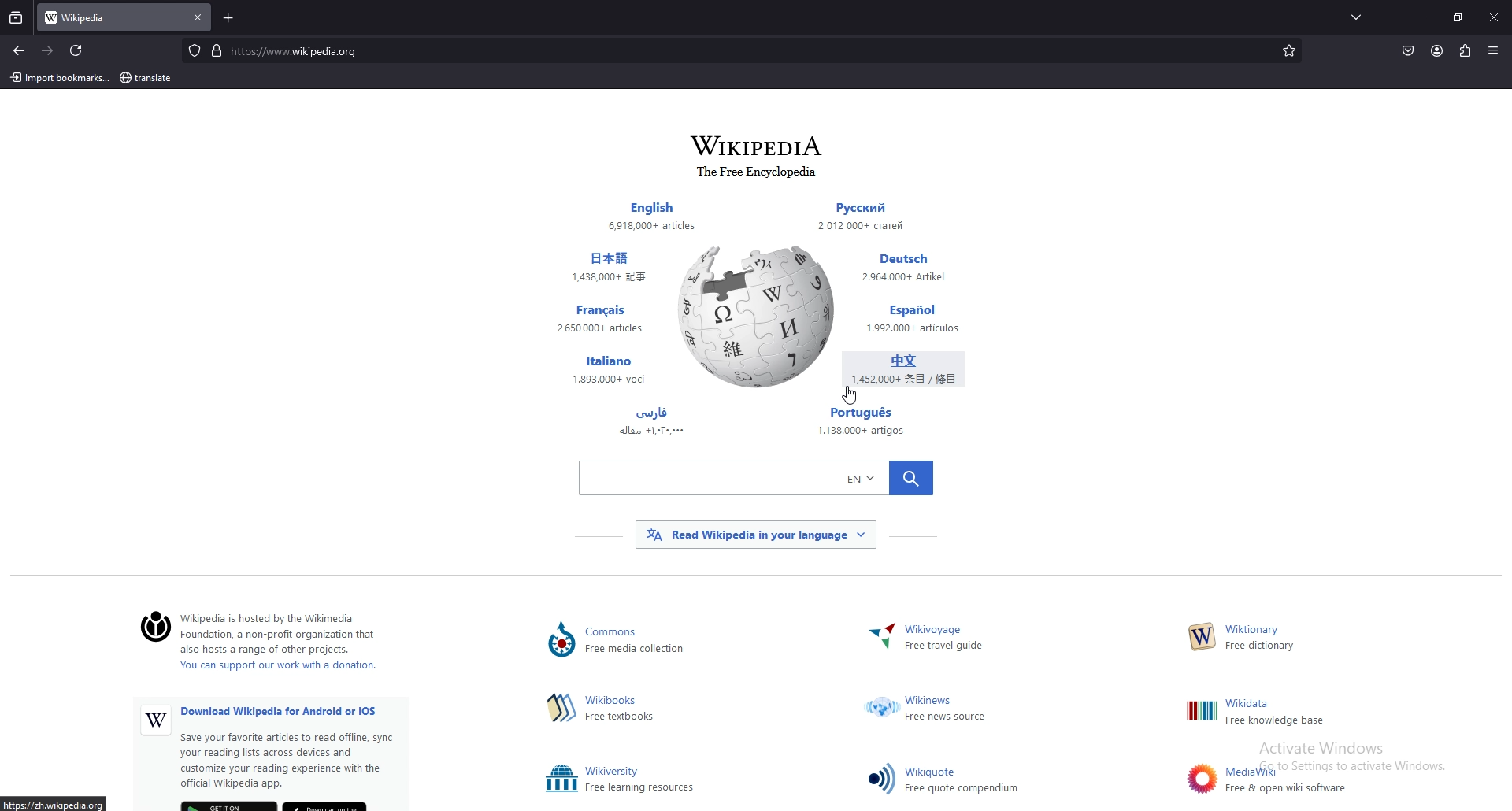 The height and width of the screenshot is (811, 1512). Describe the element at coordinates (107, 19) in the screenshot. I see `tab` at that location.